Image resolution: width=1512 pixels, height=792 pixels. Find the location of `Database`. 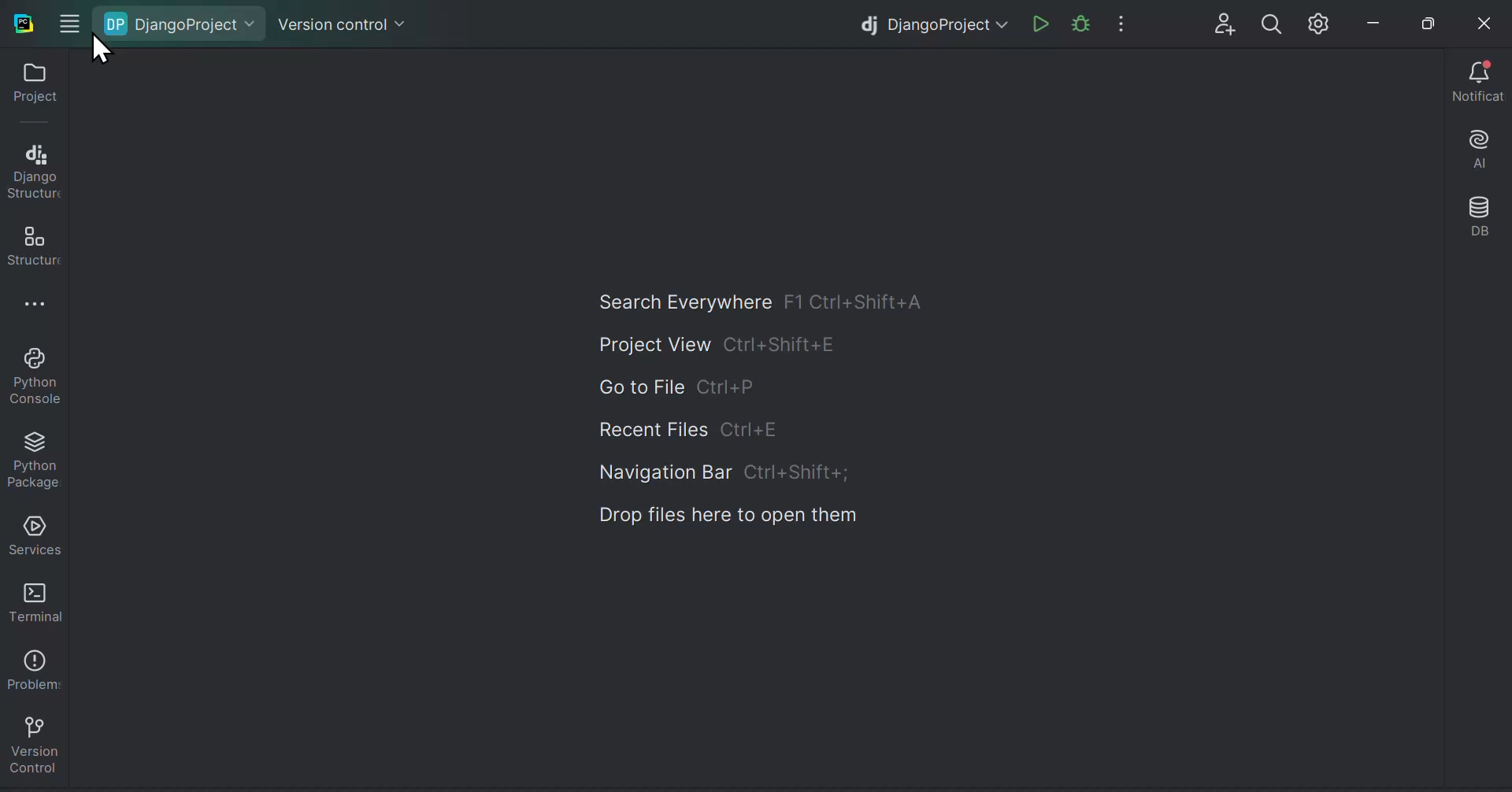

Database is located at coordinates (1485, 208).